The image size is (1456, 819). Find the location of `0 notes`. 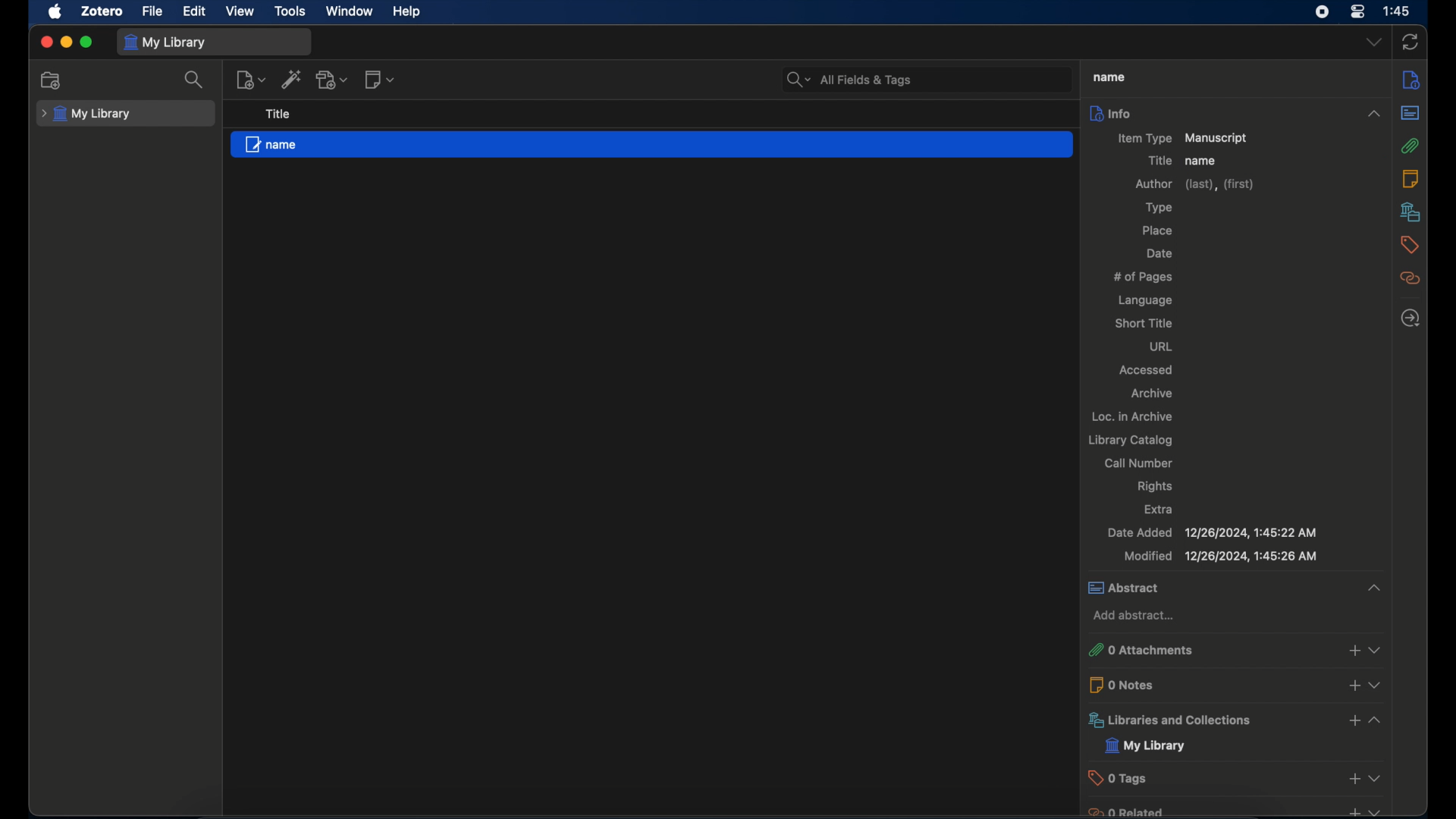

0 notes is located at coordinates (1237, 683).